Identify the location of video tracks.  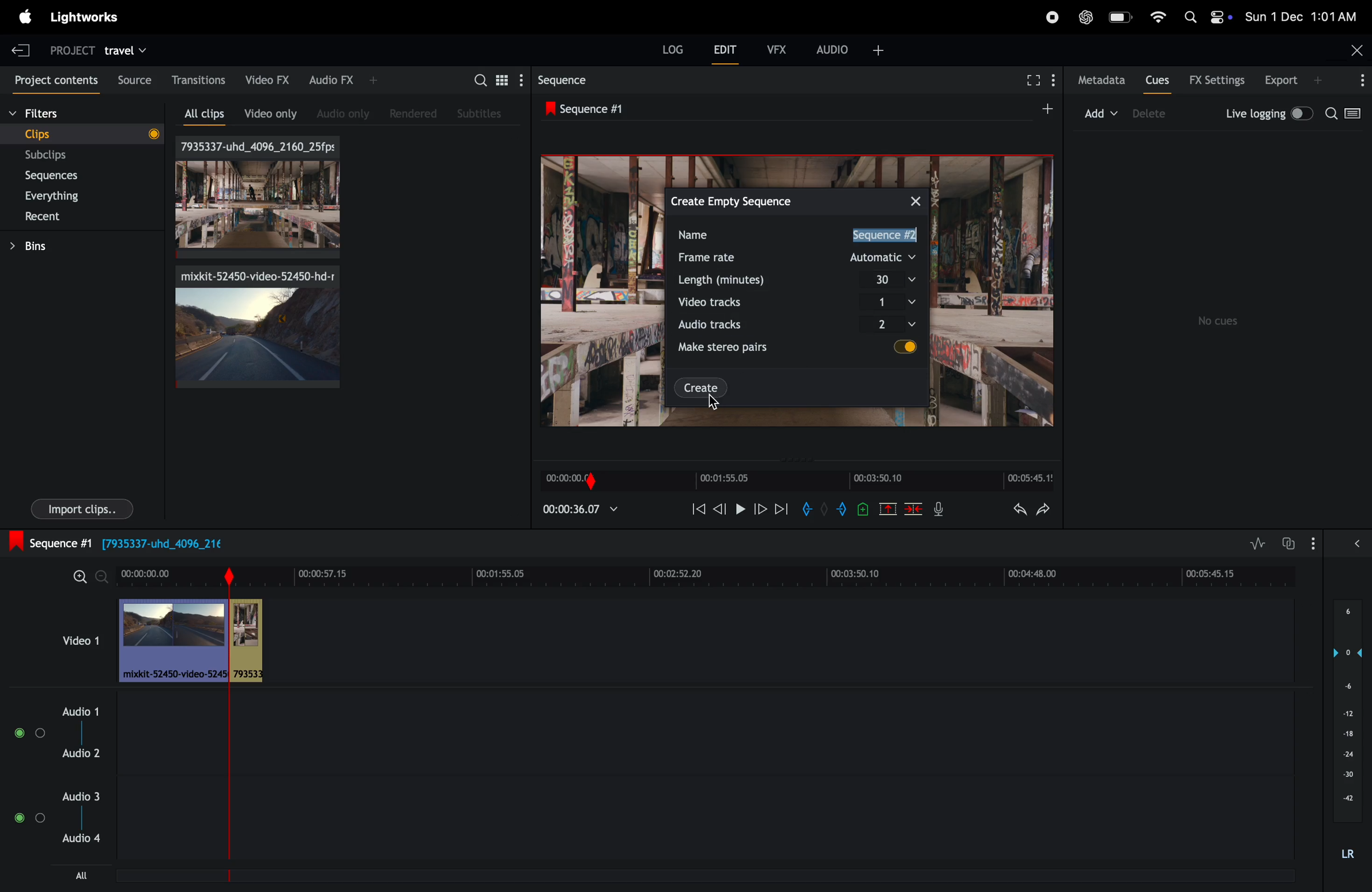
(722, 302).